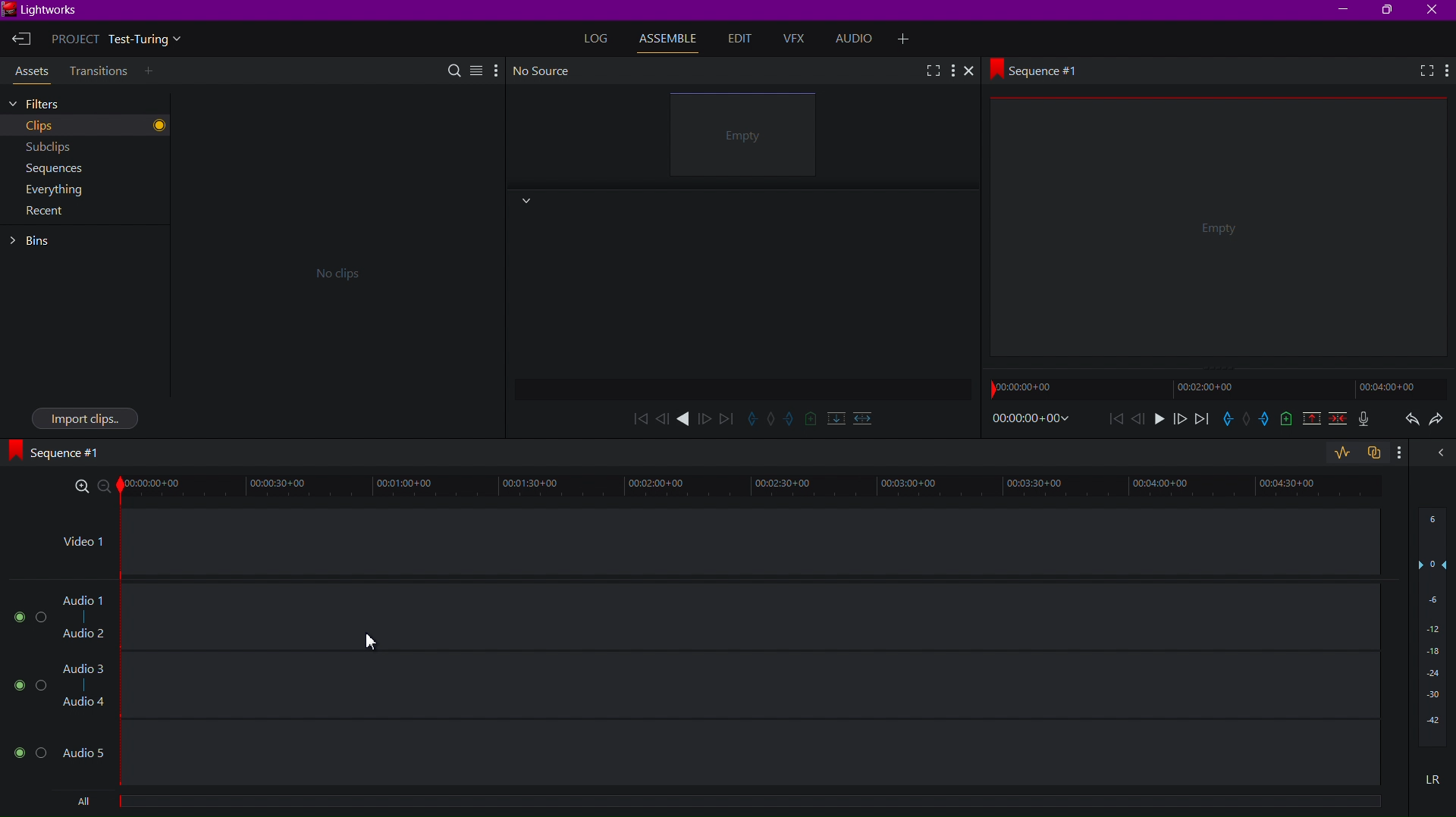 This screenshot has width=1456, height=817. What do you see at coordinates (1345, 10) in the screenshot?
I see `Minimize` at bounding box center [1345, 10].